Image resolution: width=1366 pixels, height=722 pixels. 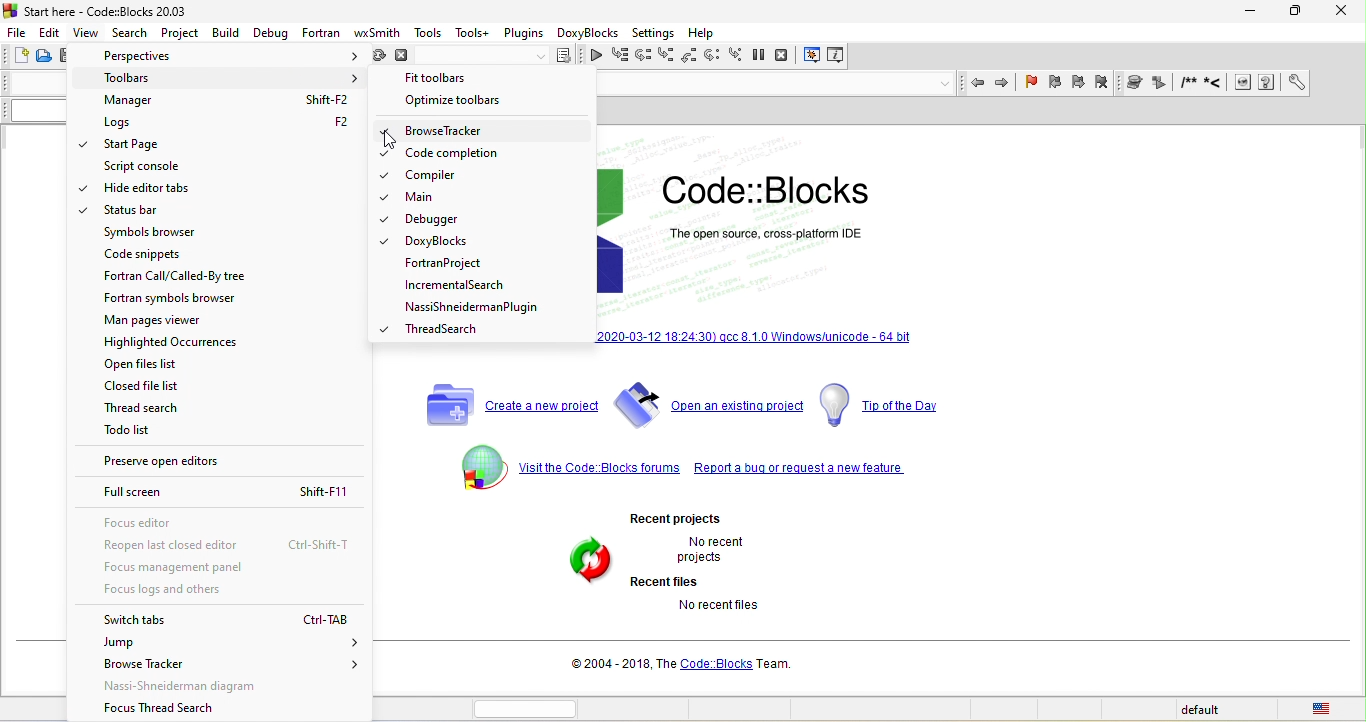 I want to click on next bookmark, so click(x=1077, y=84).